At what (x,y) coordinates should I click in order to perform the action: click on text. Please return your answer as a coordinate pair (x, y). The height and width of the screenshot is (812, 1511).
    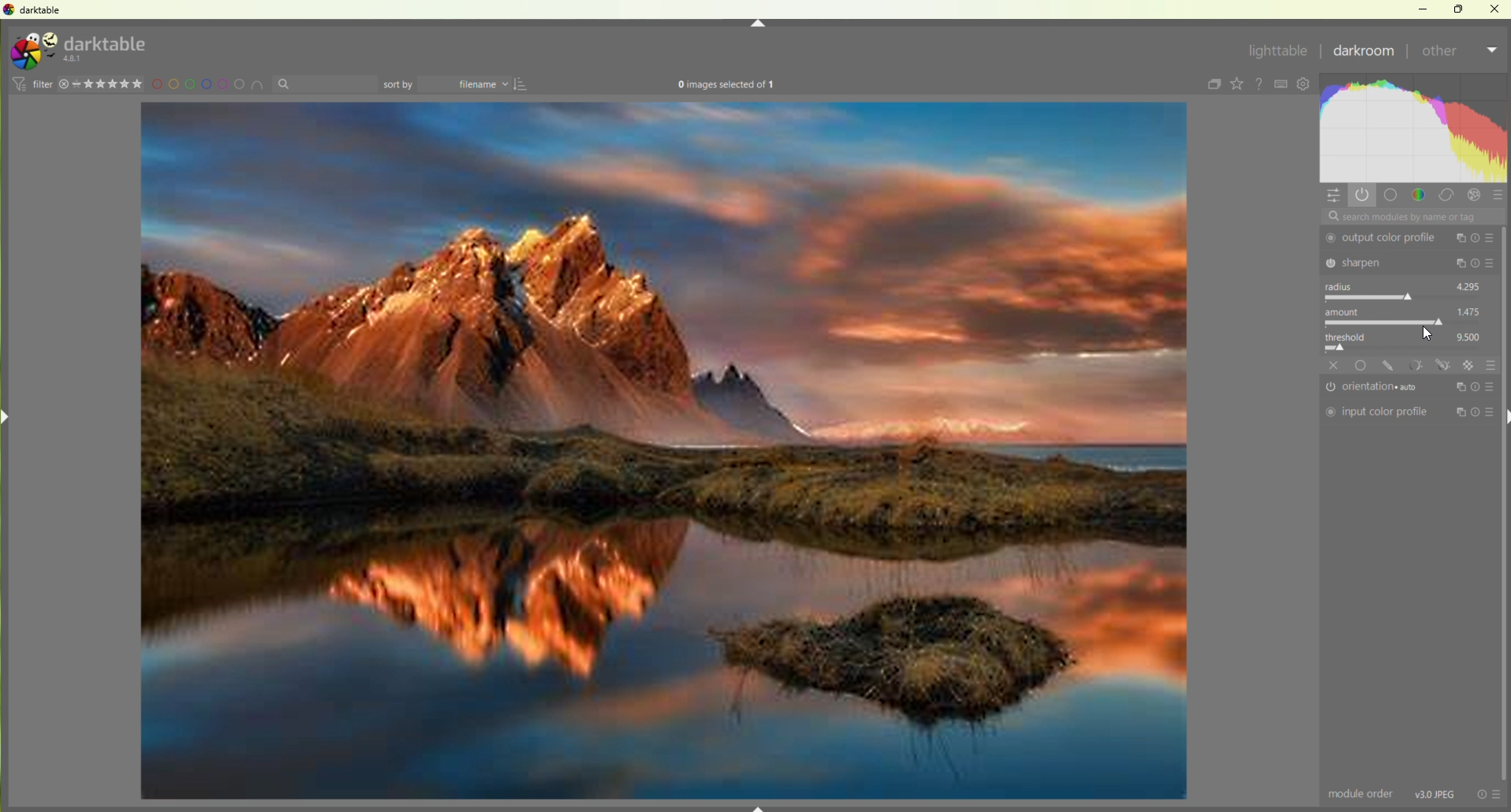
    Looking at the image, I should click on (726, 86).